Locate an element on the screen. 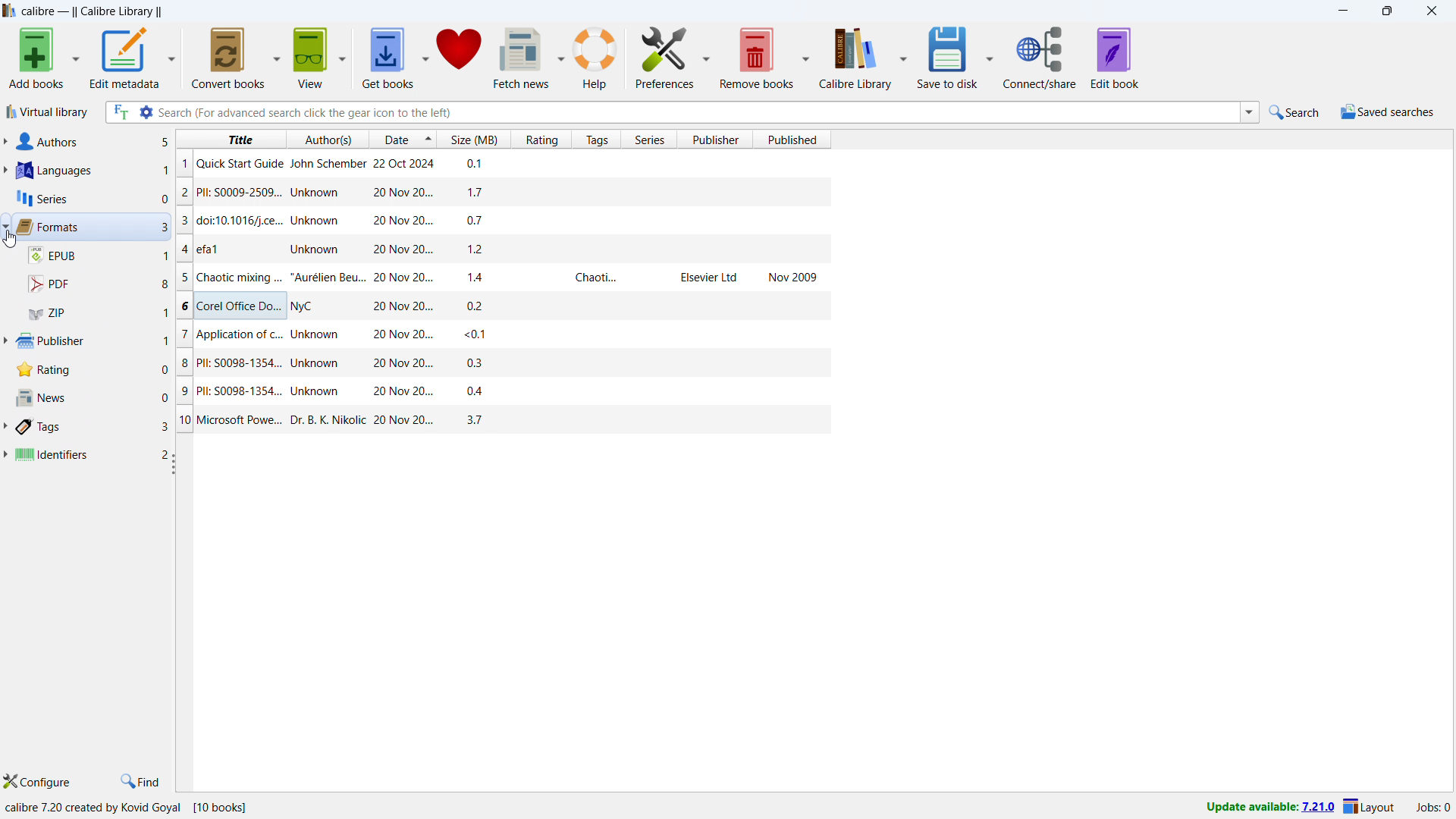 This screenshot has width=1456, height=819. fetch news is located at coordinates (522, 57).